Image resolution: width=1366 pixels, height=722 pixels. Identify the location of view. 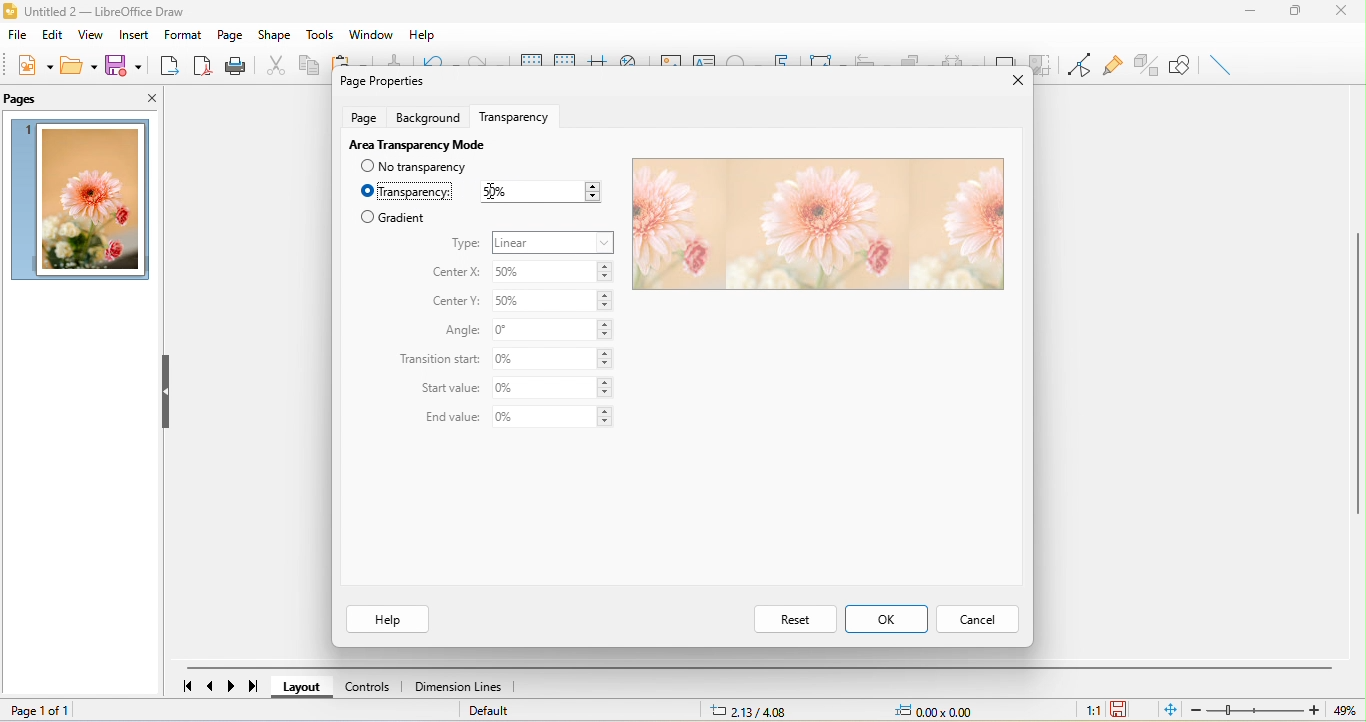
(94, 34).